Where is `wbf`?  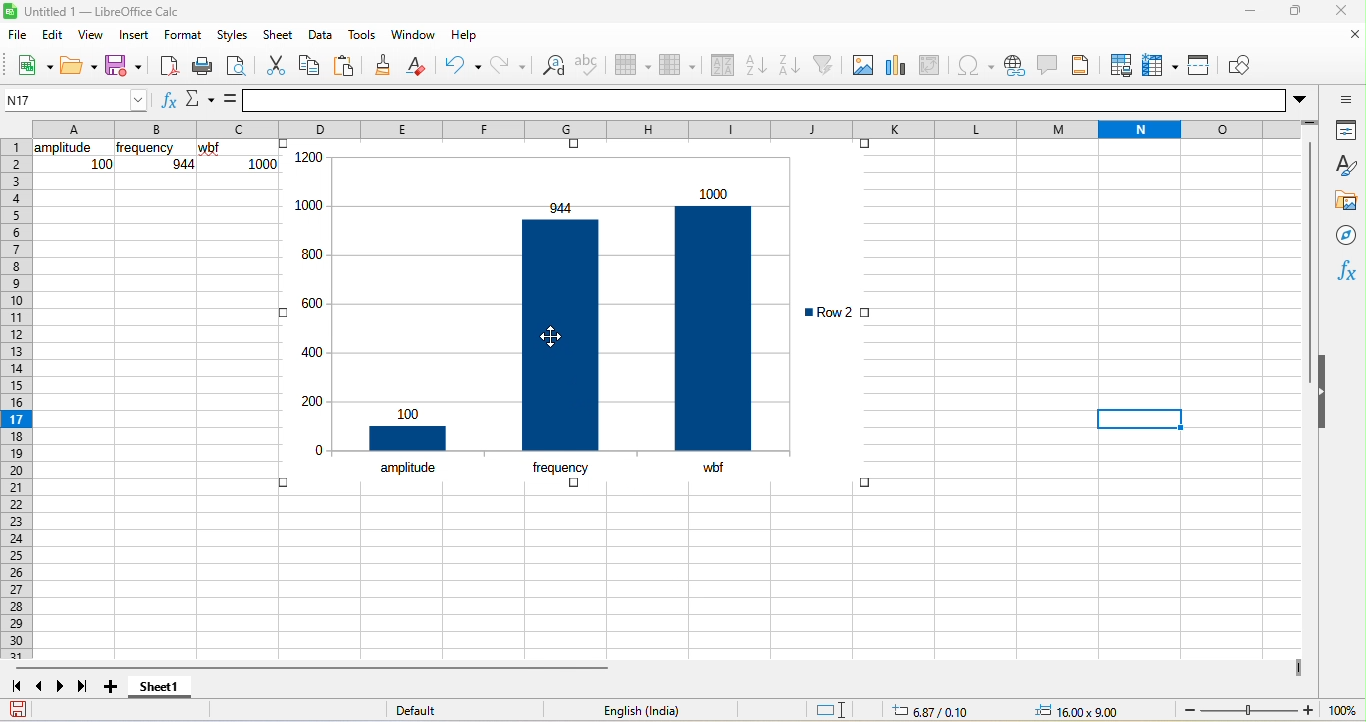 wbf is located at coordinates (214, 149).